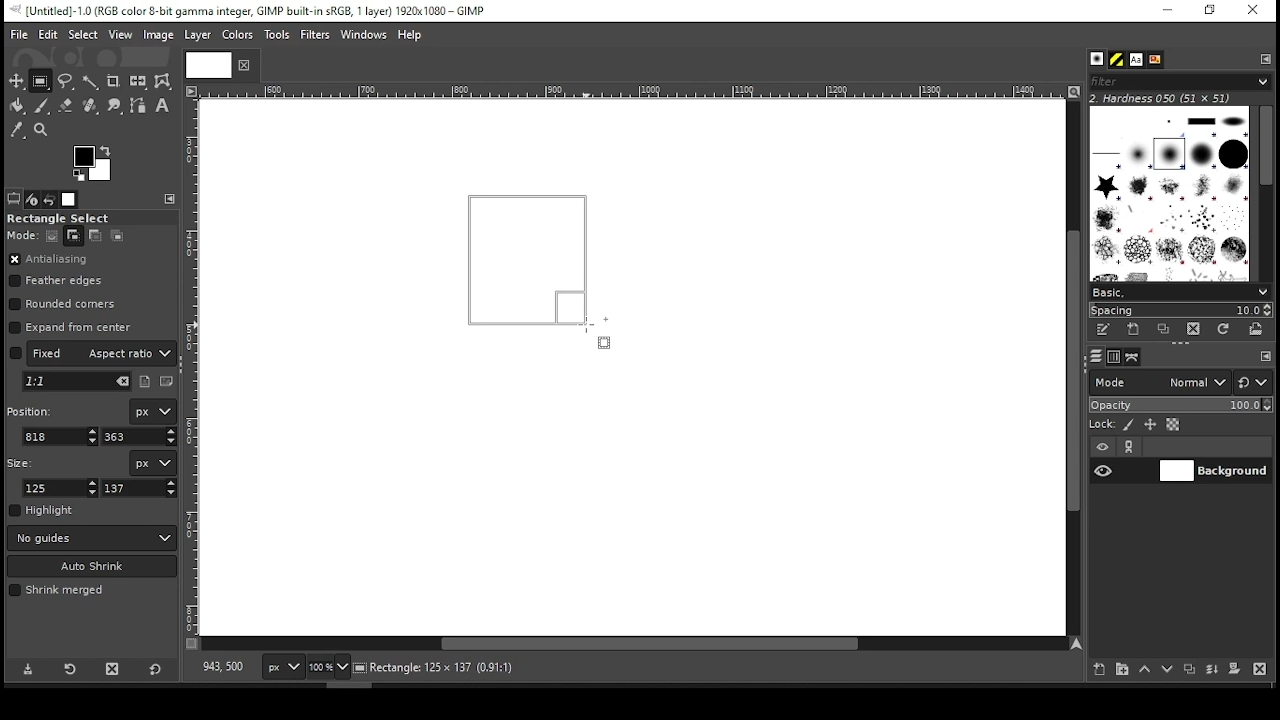 This screenshot has height=720, width=1280. What do you see at coordinates (1071, 367) in the screenshot?
I see `scroll bar` at bounding box center [1071, 367].